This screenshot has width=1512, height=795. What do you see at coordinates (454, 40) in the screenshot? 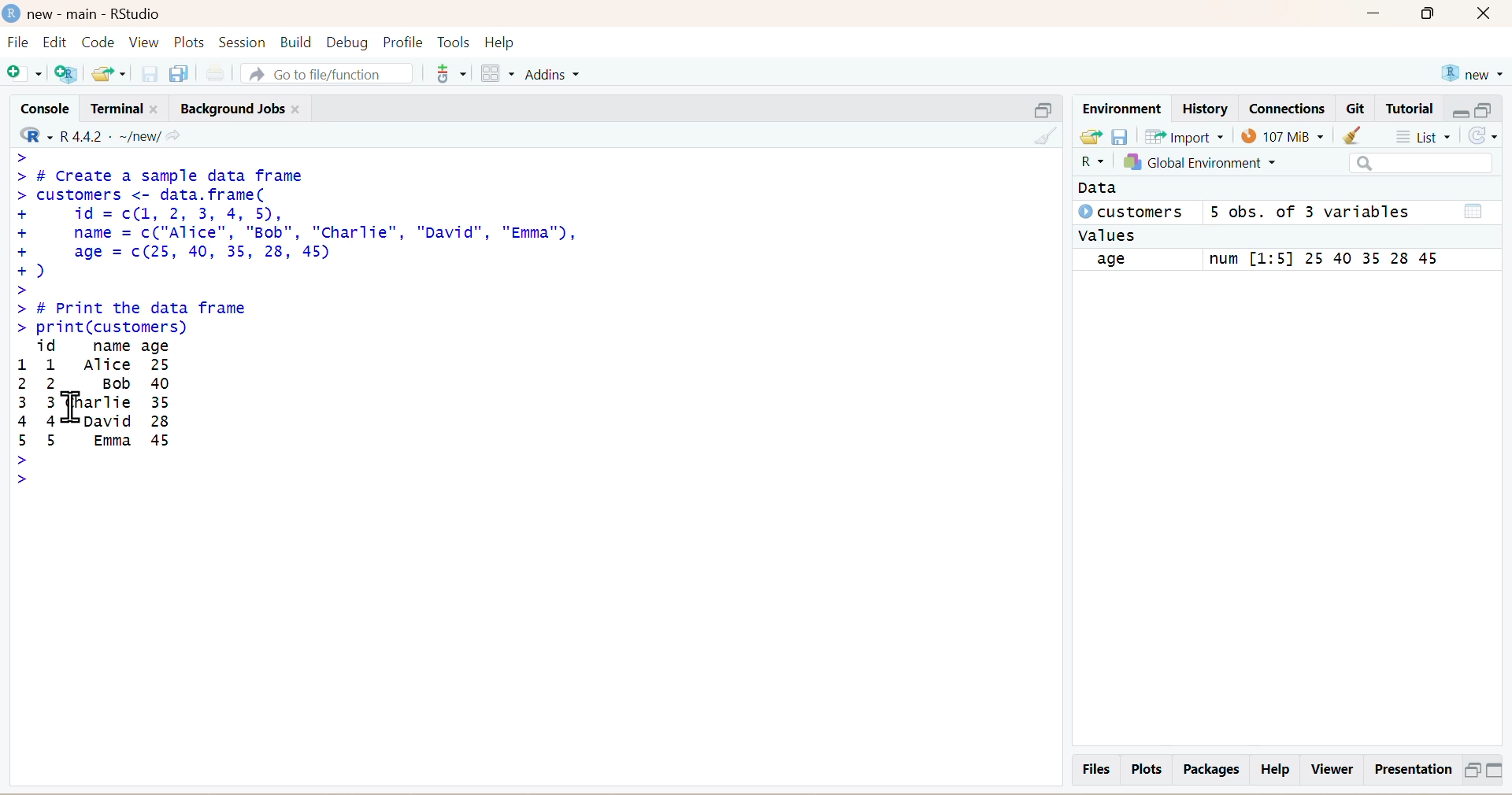
I see `Tools` at bounding box center [454, 40].